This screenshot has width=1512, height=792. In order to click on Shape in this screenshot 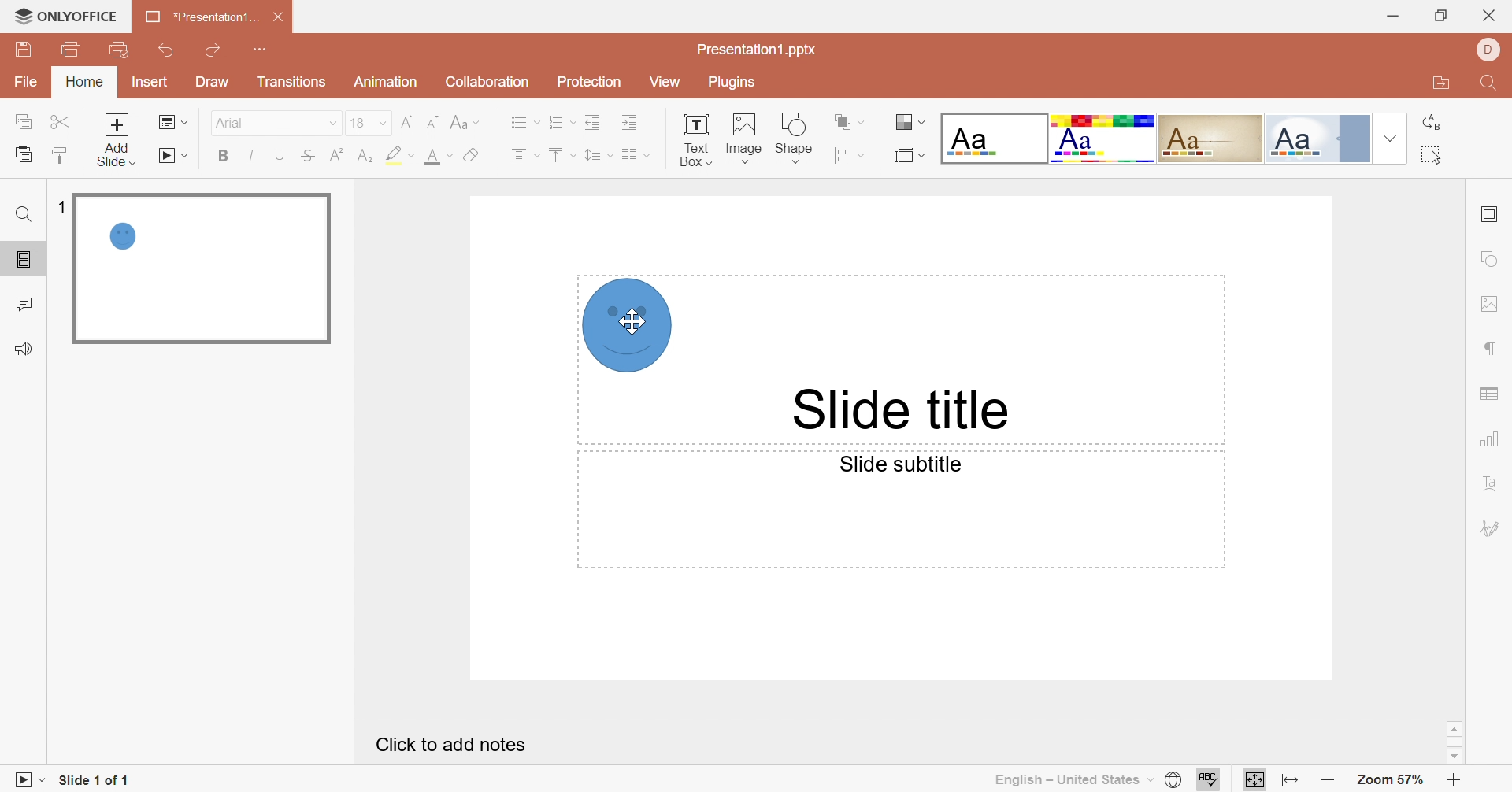, I will do `click(632, 328)`.